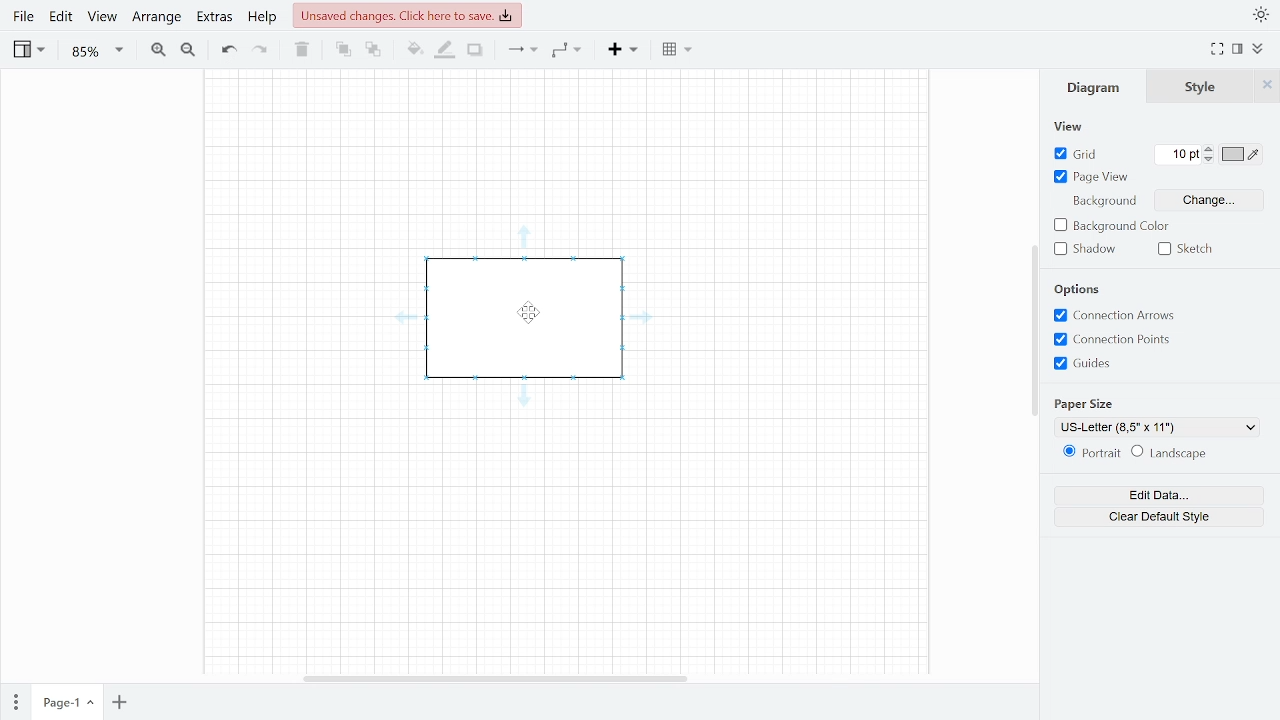 The image size is (1280, 720). What do you see at coordinates (1158, 426) in the screenshot?
I see `Paper size (US-Letter(8.5 * 11)` at bounding box center [1158, 426].